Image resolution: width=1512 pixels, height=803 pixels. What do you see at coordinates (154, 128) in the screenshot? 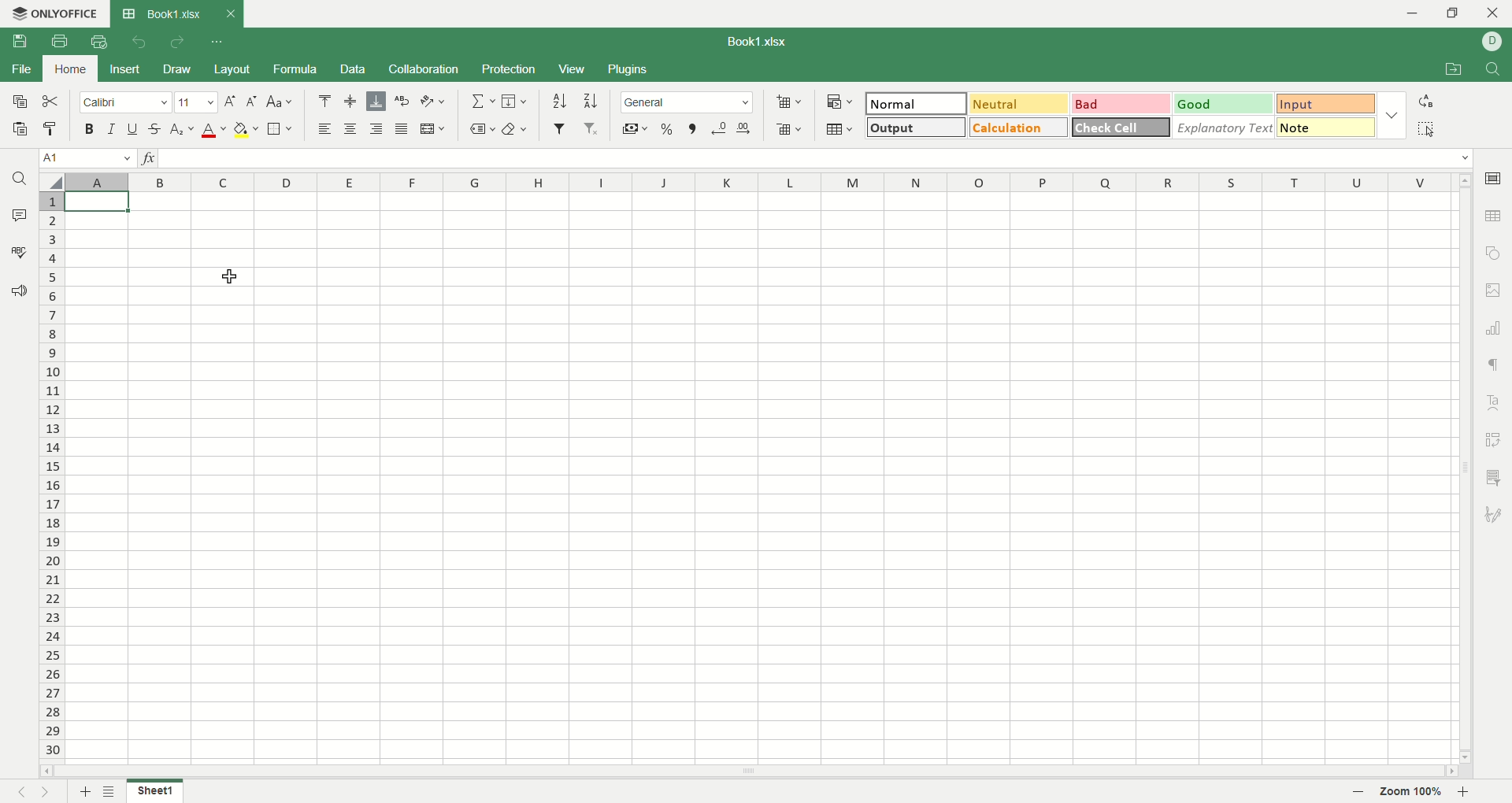
I see `strikethrough` at bounding box center [154, 128].